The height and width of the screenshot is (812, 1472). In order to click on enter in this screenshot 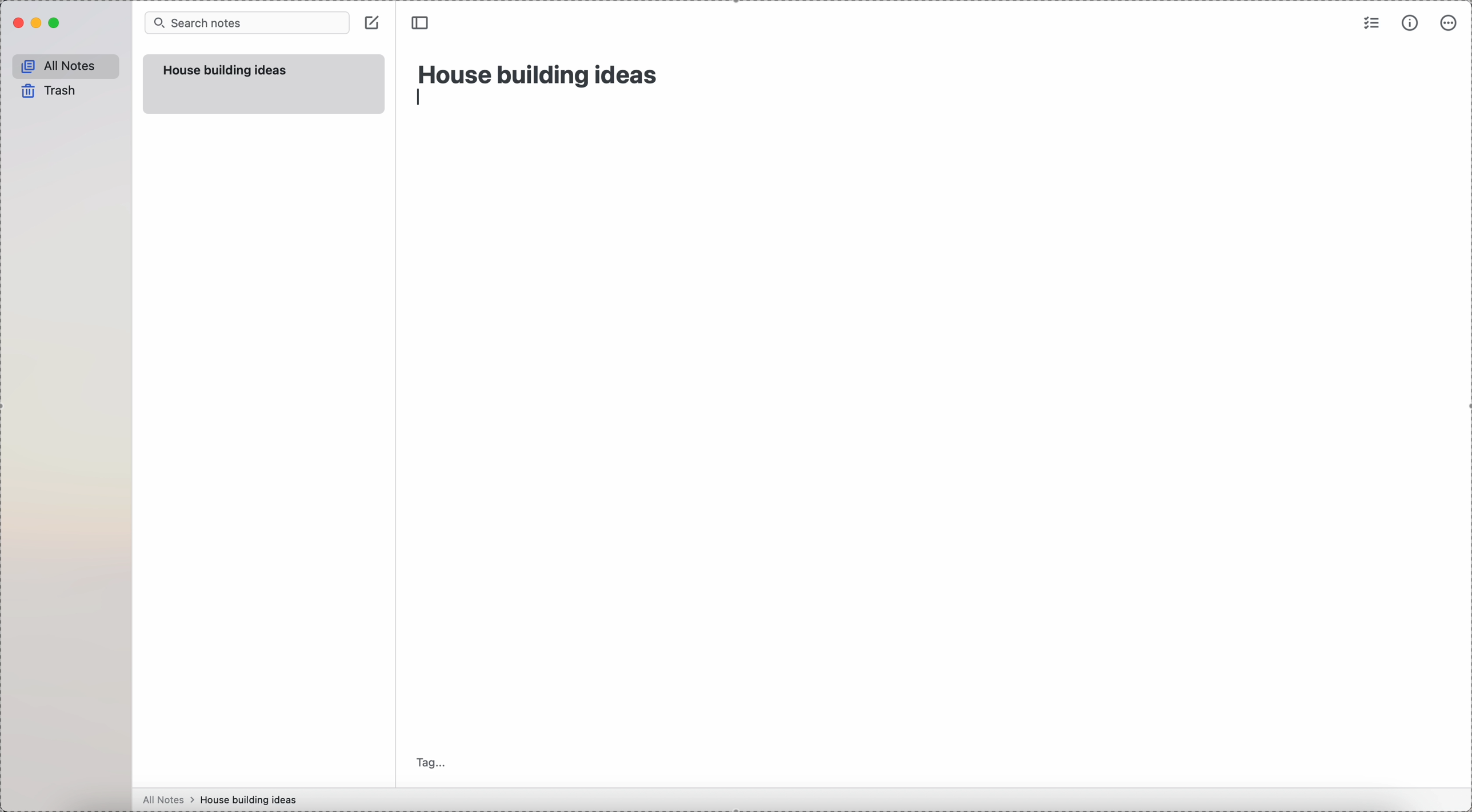, I will do `click(419, 98)`.